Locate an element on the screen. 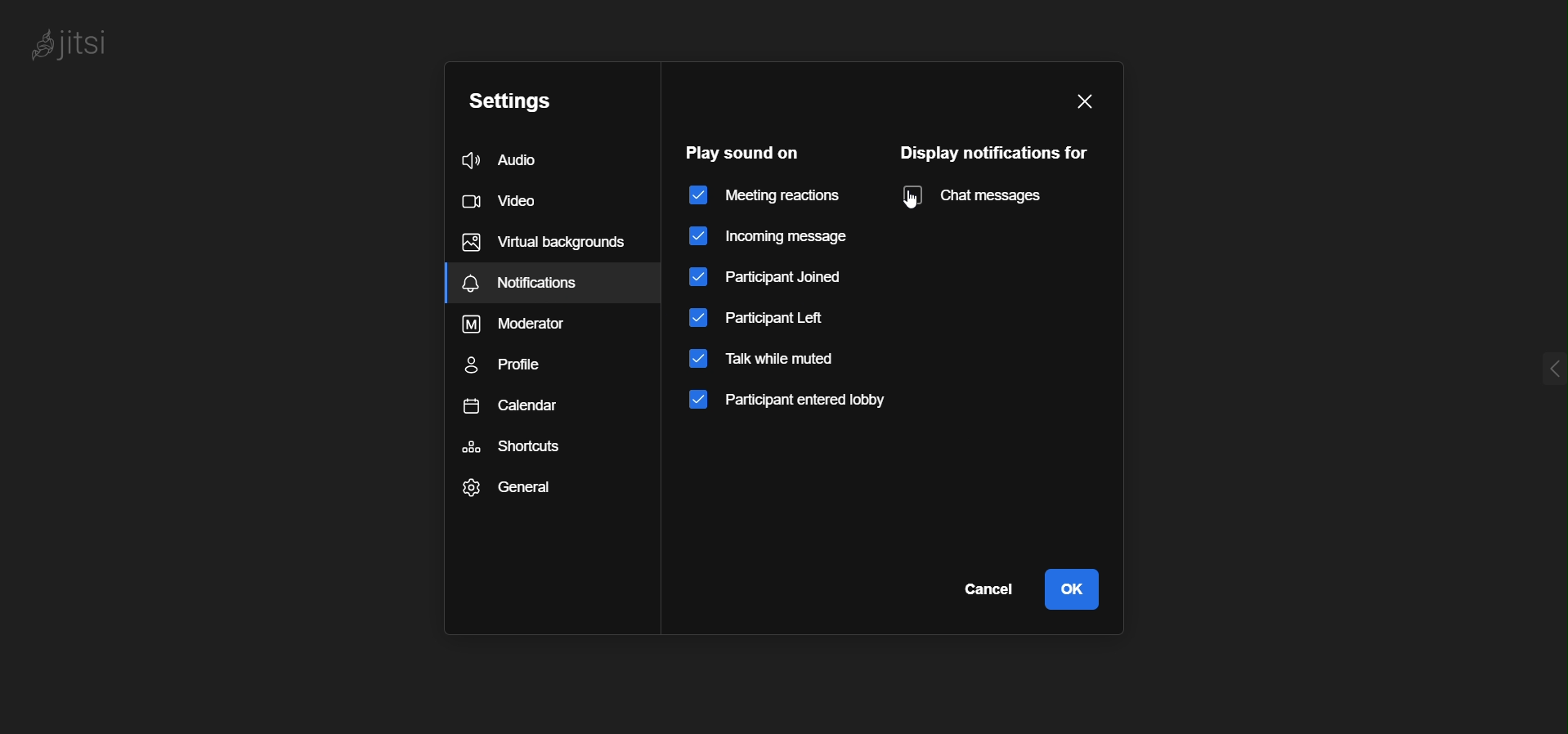 The width and height of the screenshot is (1568, 734). cancel is located at coordinates (990, 589).